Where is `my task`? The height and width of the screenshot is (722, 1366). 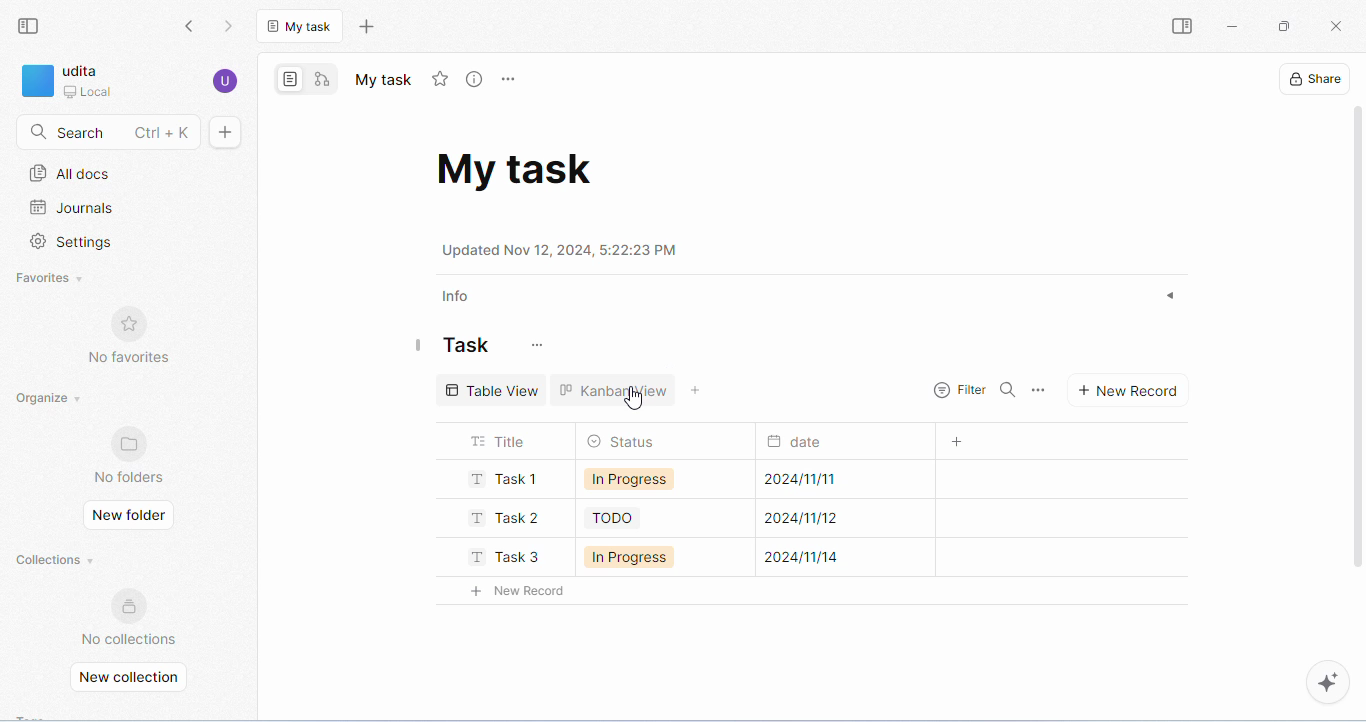
my task is located at coordinates (382, 81).